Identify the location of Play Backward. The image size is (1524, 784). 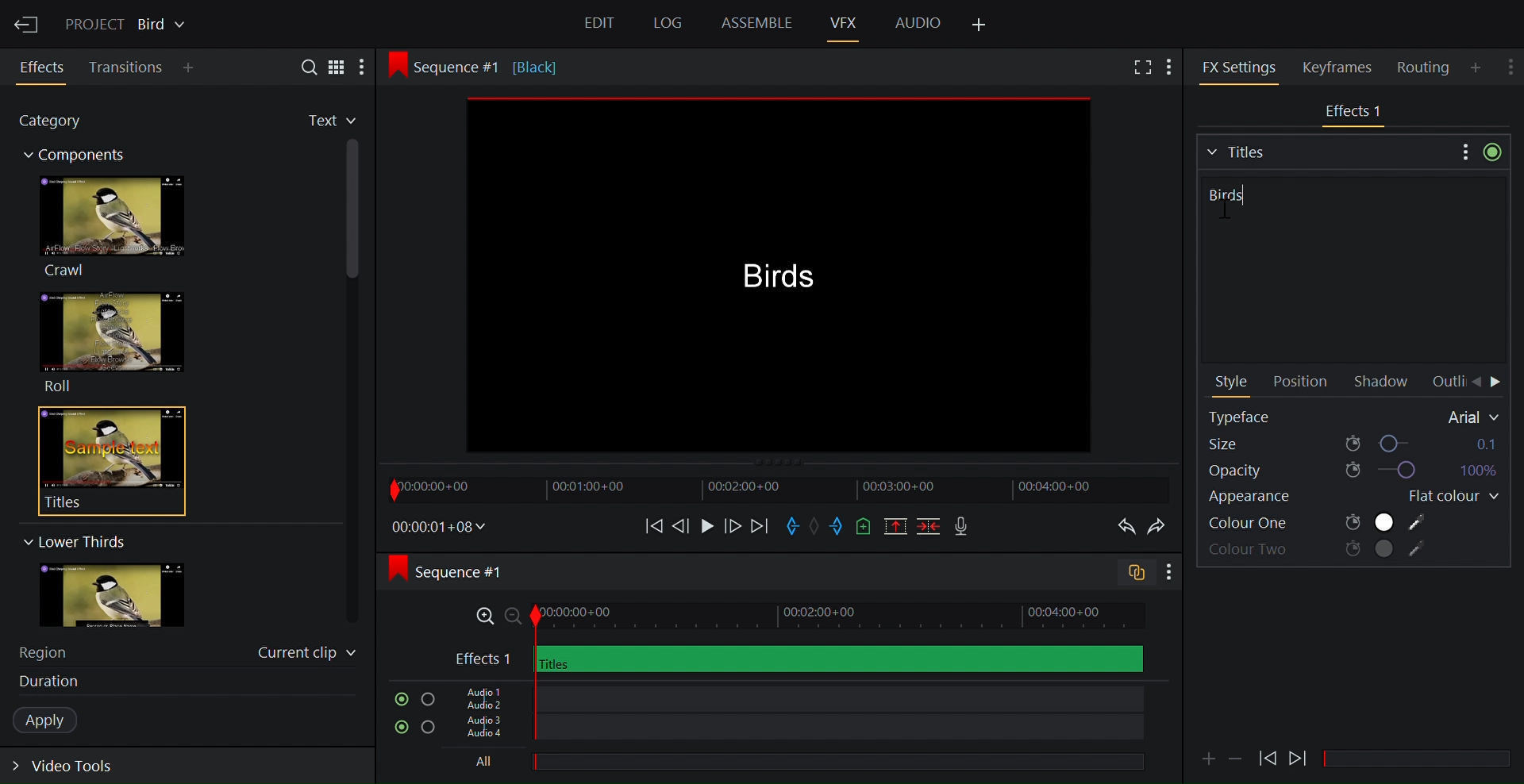
(1299, 755).